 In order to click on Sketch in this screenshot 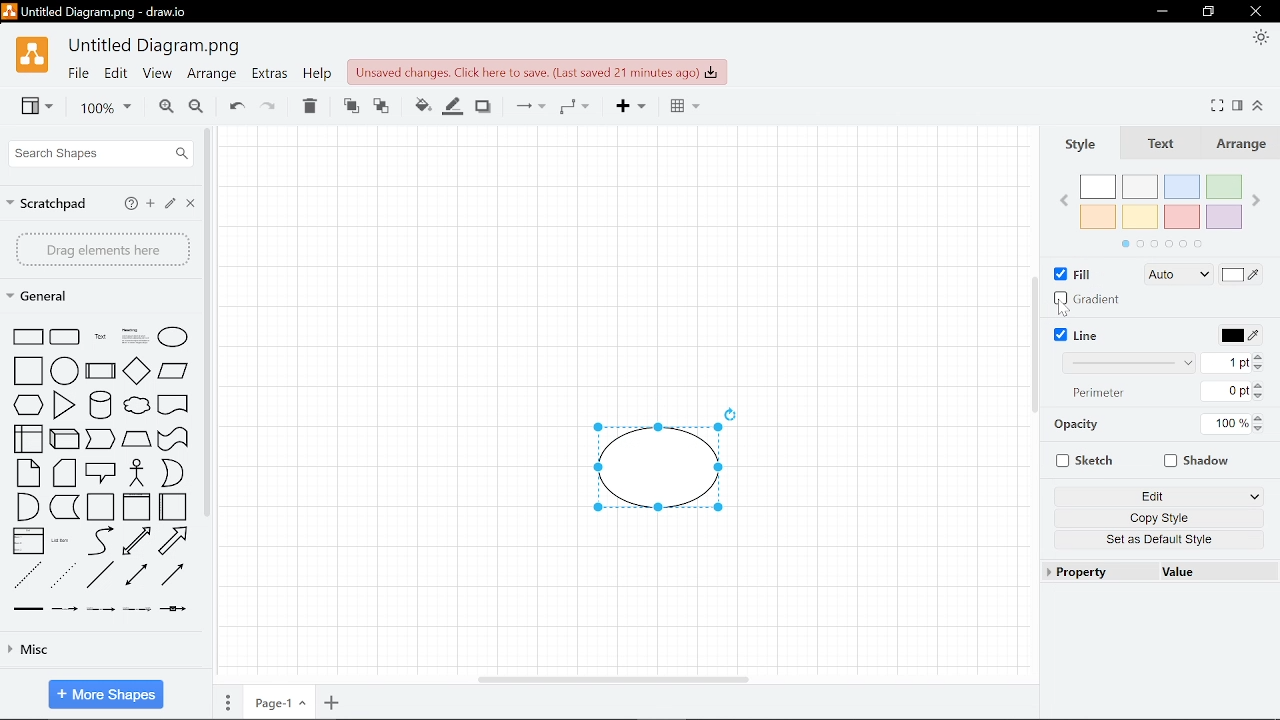, I will do `click(1085, 461)`.